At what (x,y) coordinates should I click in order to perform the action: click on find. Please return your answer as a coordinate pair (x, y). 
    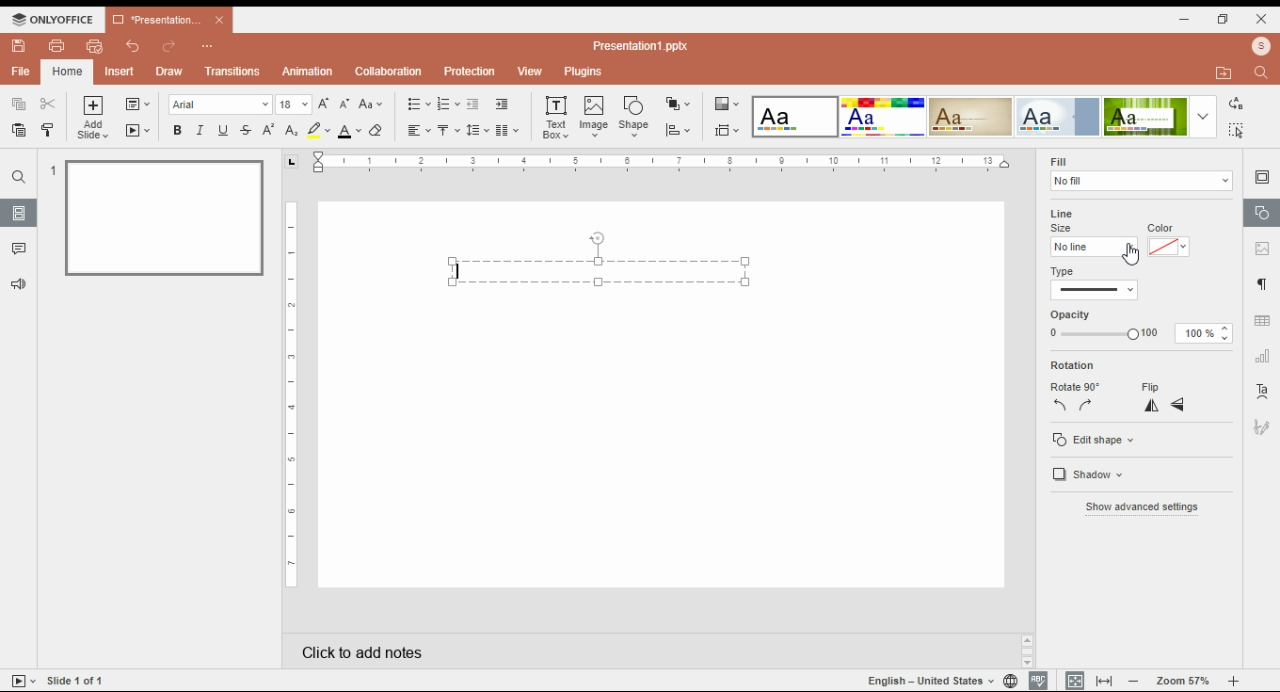
    Looking at the image, I should click on (1260, 74).